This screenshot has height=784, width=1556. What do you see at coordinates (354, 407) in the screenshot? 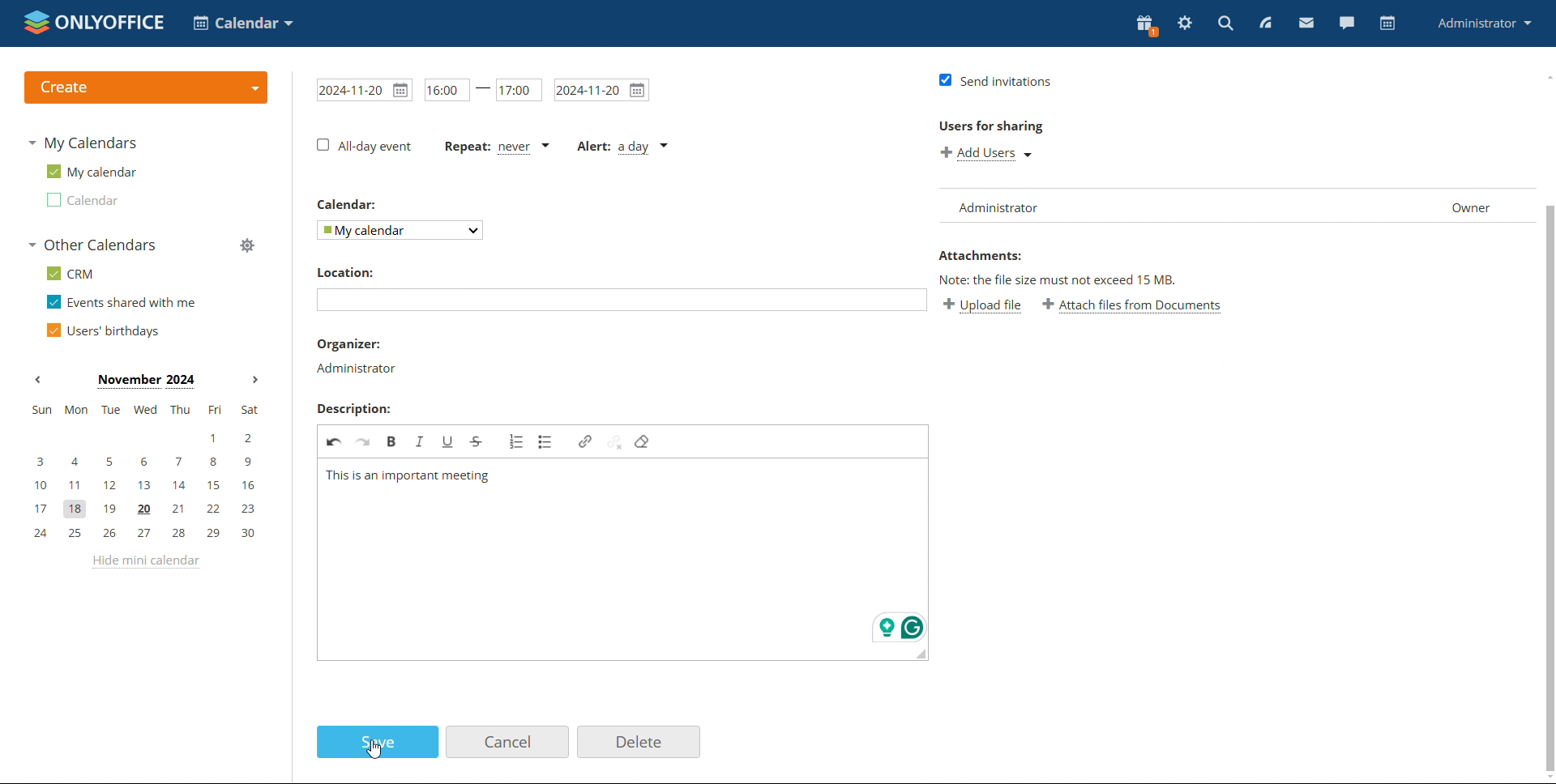
I see `description` at bounding box center [354, 407].